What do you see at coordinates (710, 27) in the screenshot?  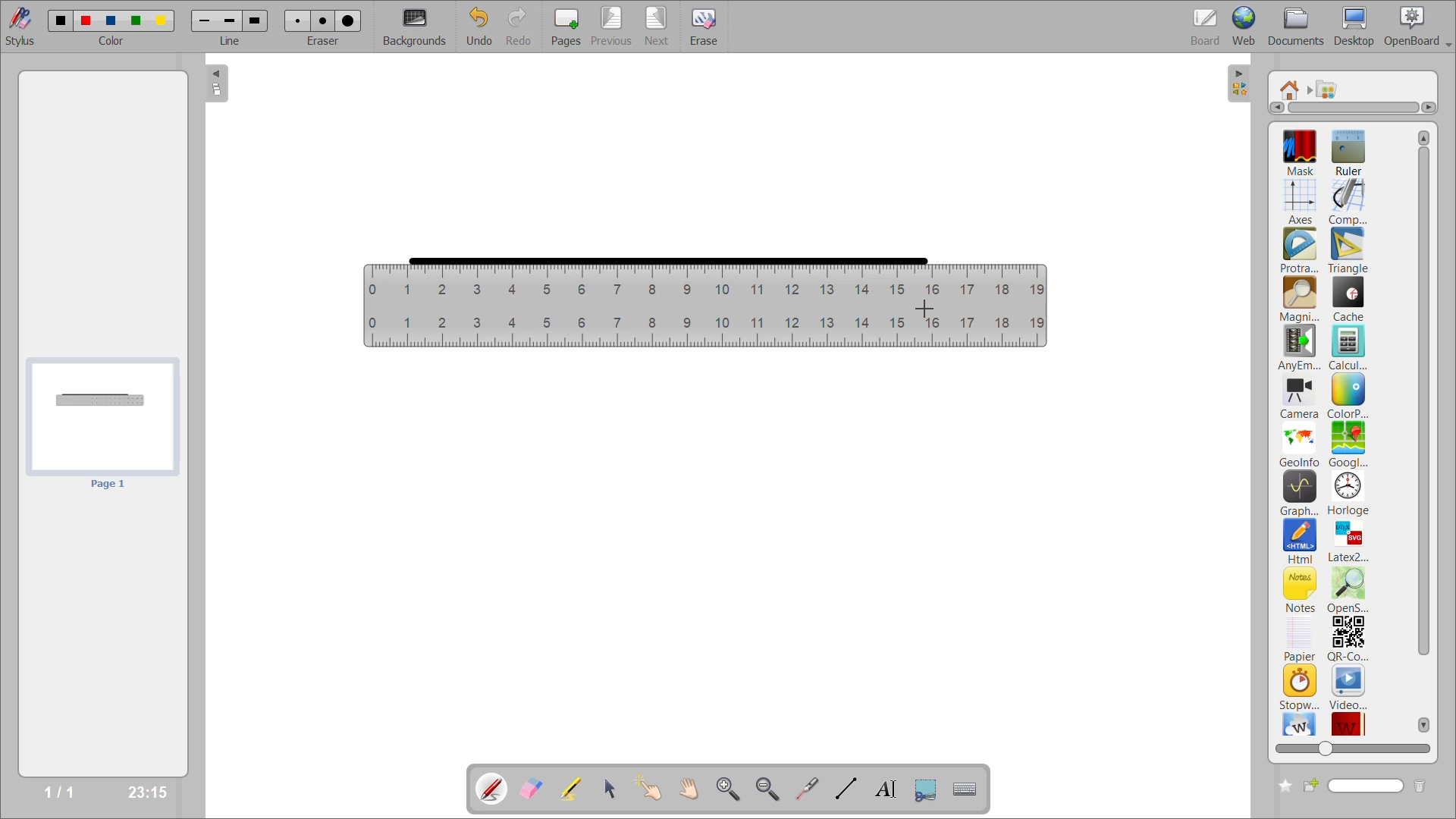 I see `erase` at bounding box center [710, 27].